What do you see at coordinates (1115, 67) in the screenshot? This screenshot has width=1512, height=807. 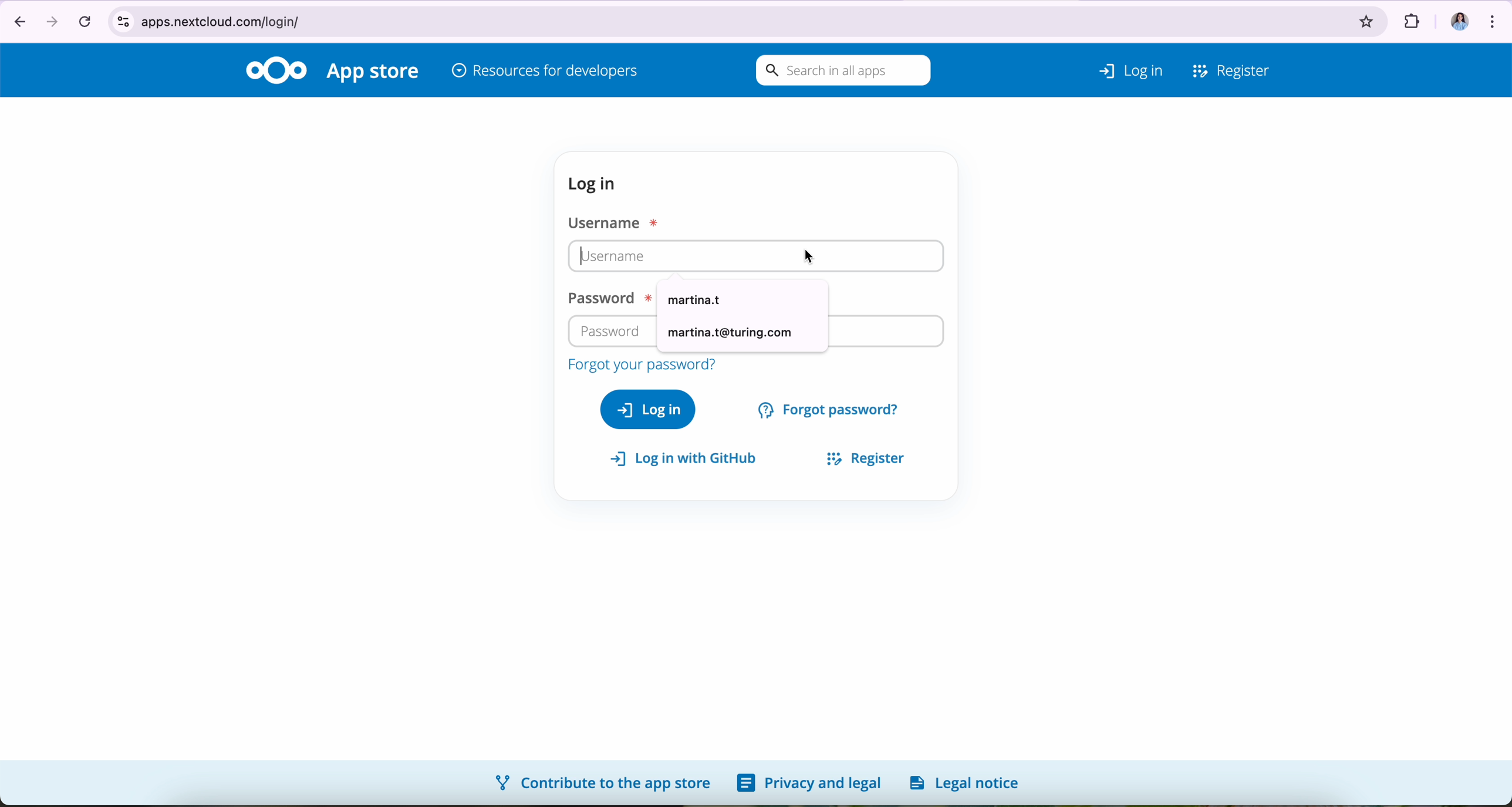 I see `Log in` at bounding box center [1115, 67].